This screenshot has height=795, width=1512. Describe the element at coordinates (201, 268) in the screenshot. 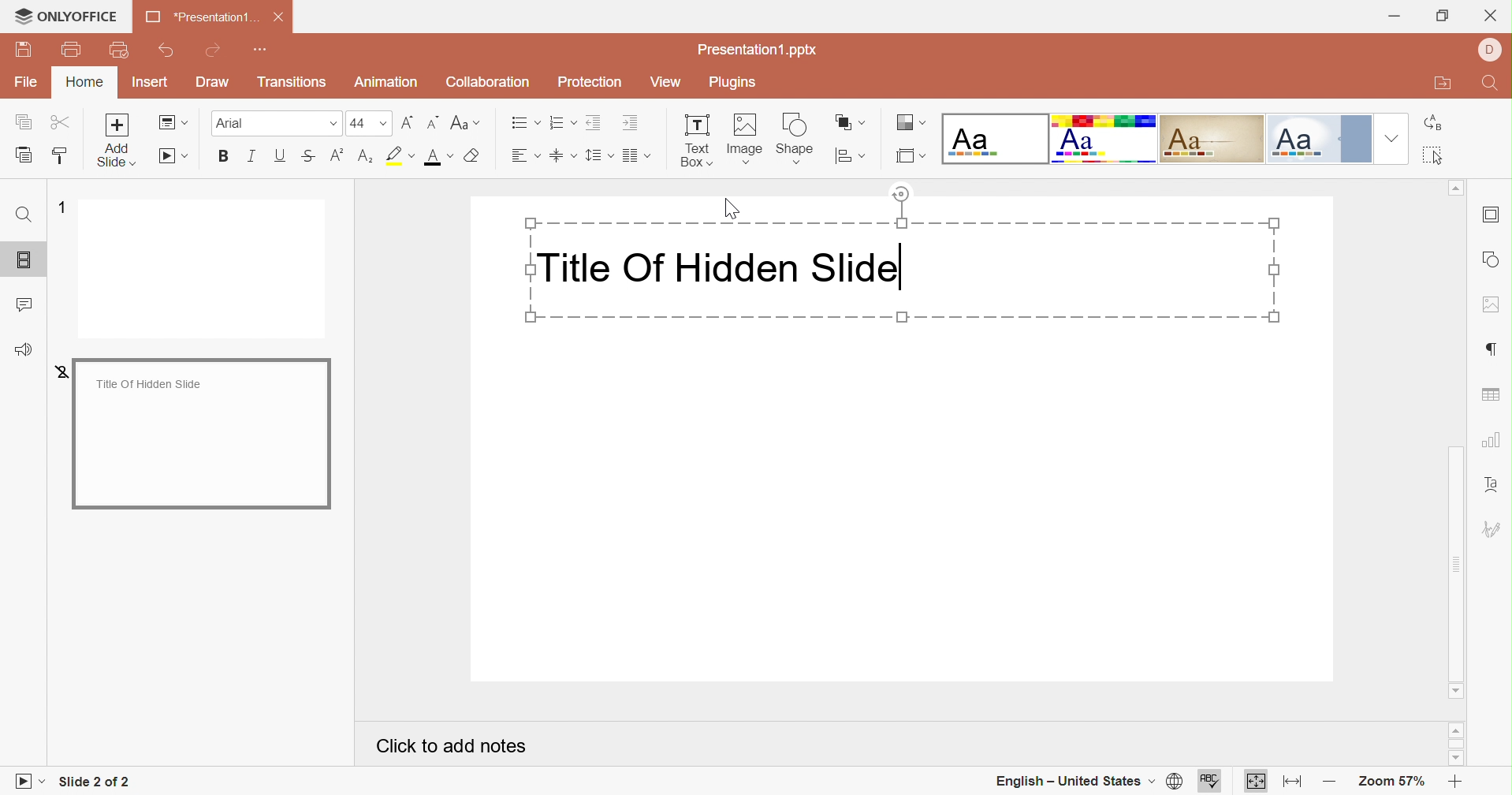

I see `Slide 1 preview` at that location.